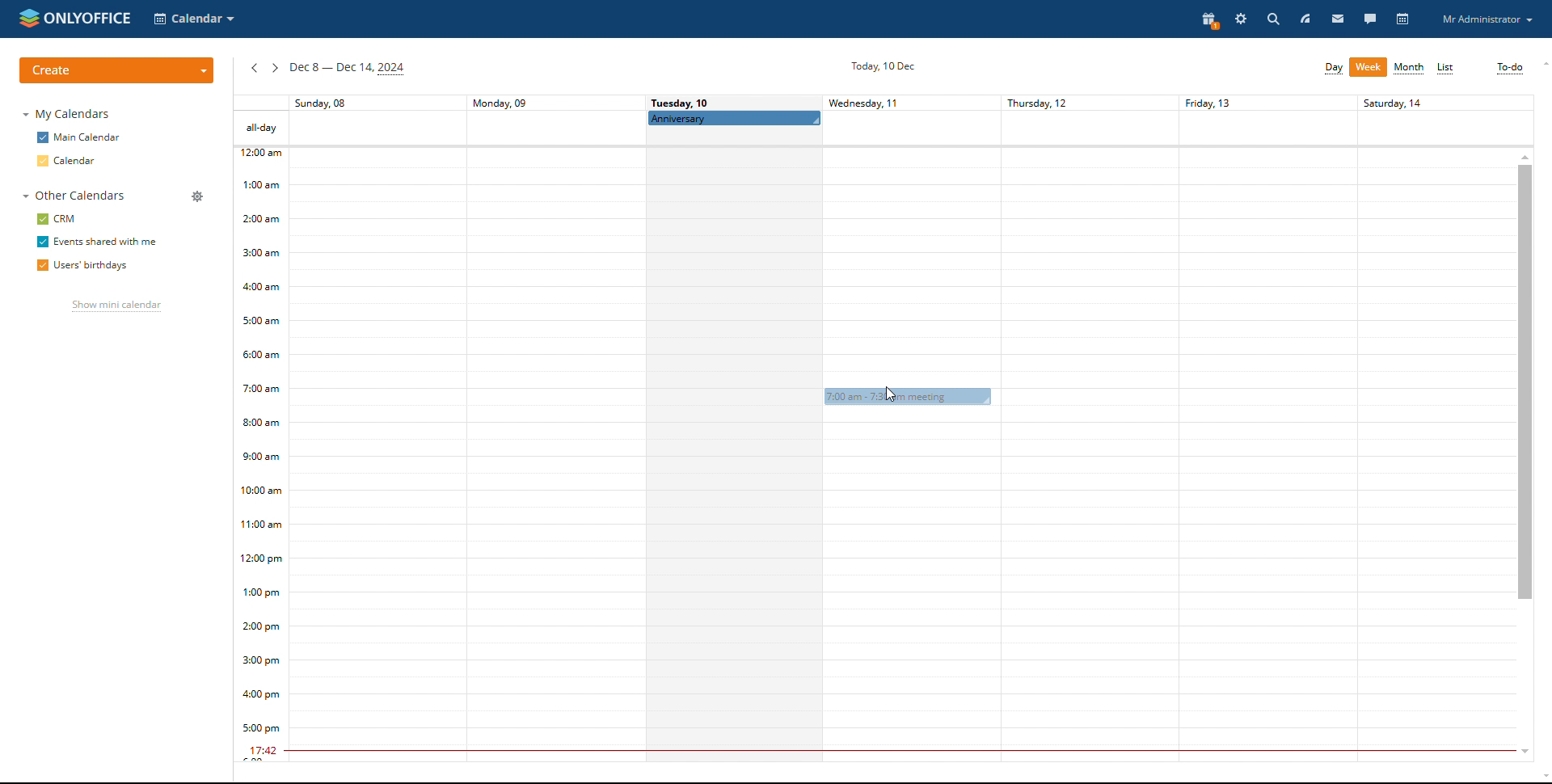 This screenshot has height=784, width=1552. Describe the element at coordinates (1525, 155) in the screenshot. I see `scroll up` at that location.